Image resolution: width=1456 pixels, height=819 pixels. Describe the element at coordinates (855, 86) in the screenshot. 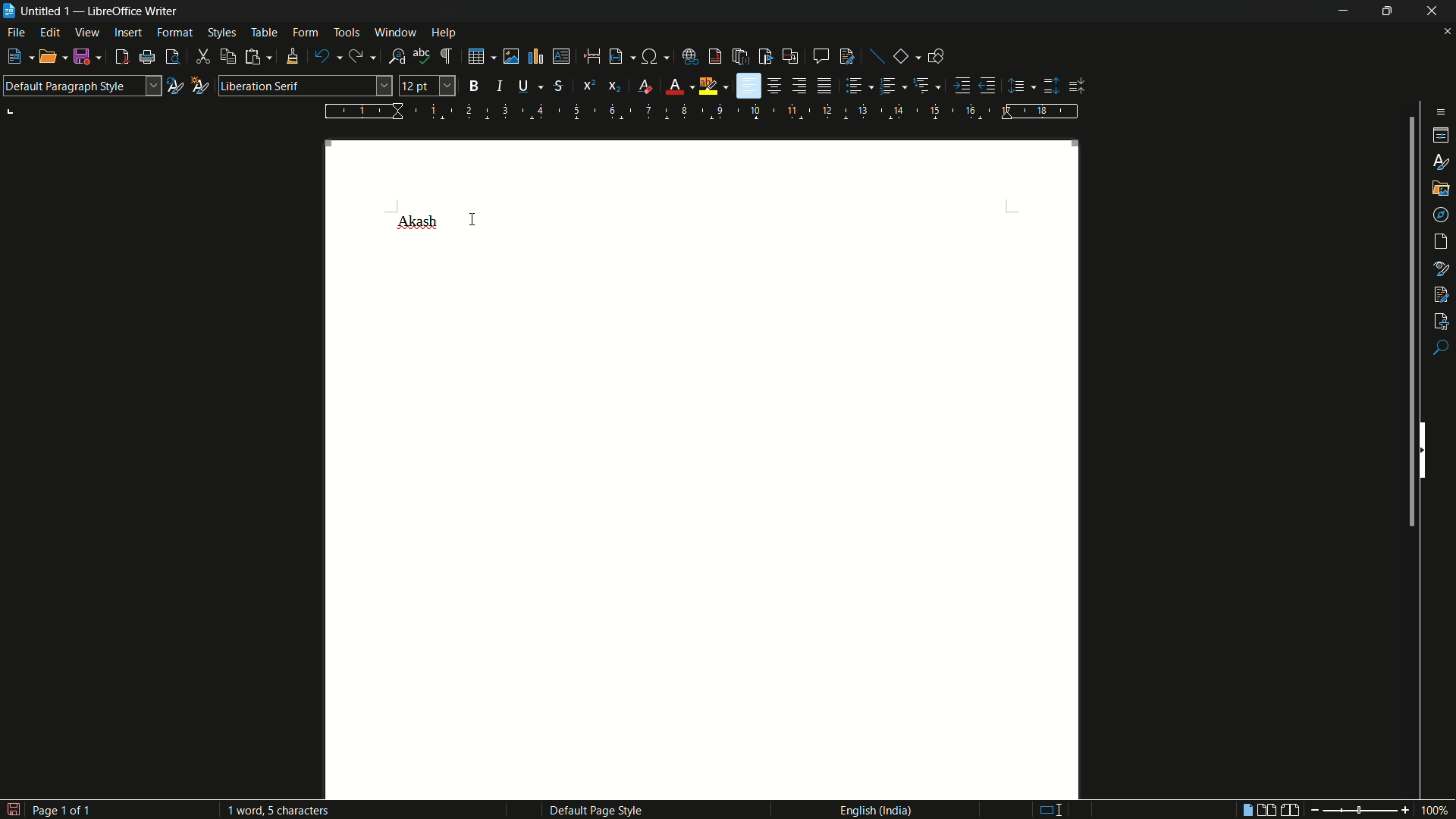

I see `bullet points` at that location.